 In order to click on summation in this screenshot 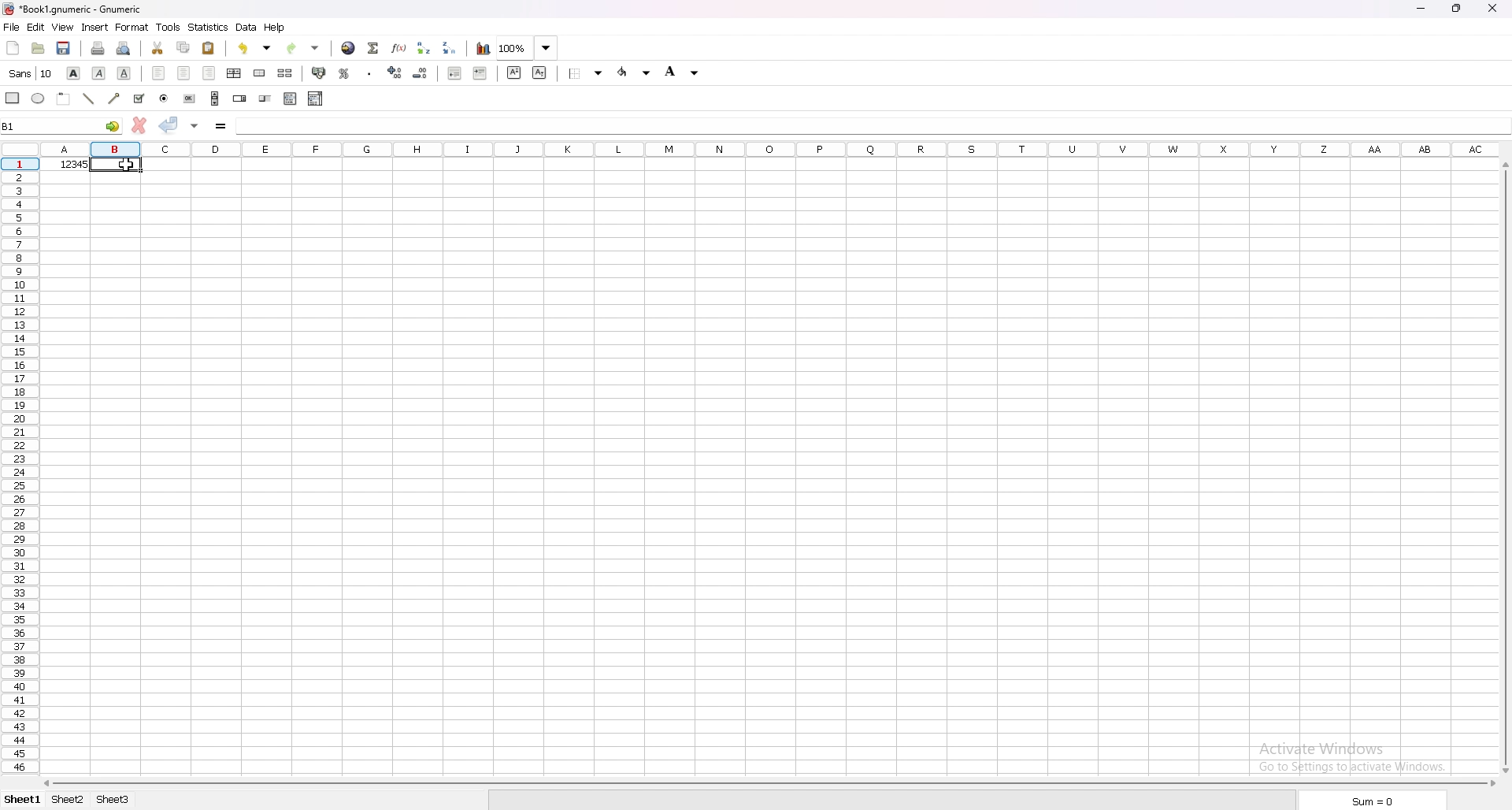, I will do `click(374, 49)`.